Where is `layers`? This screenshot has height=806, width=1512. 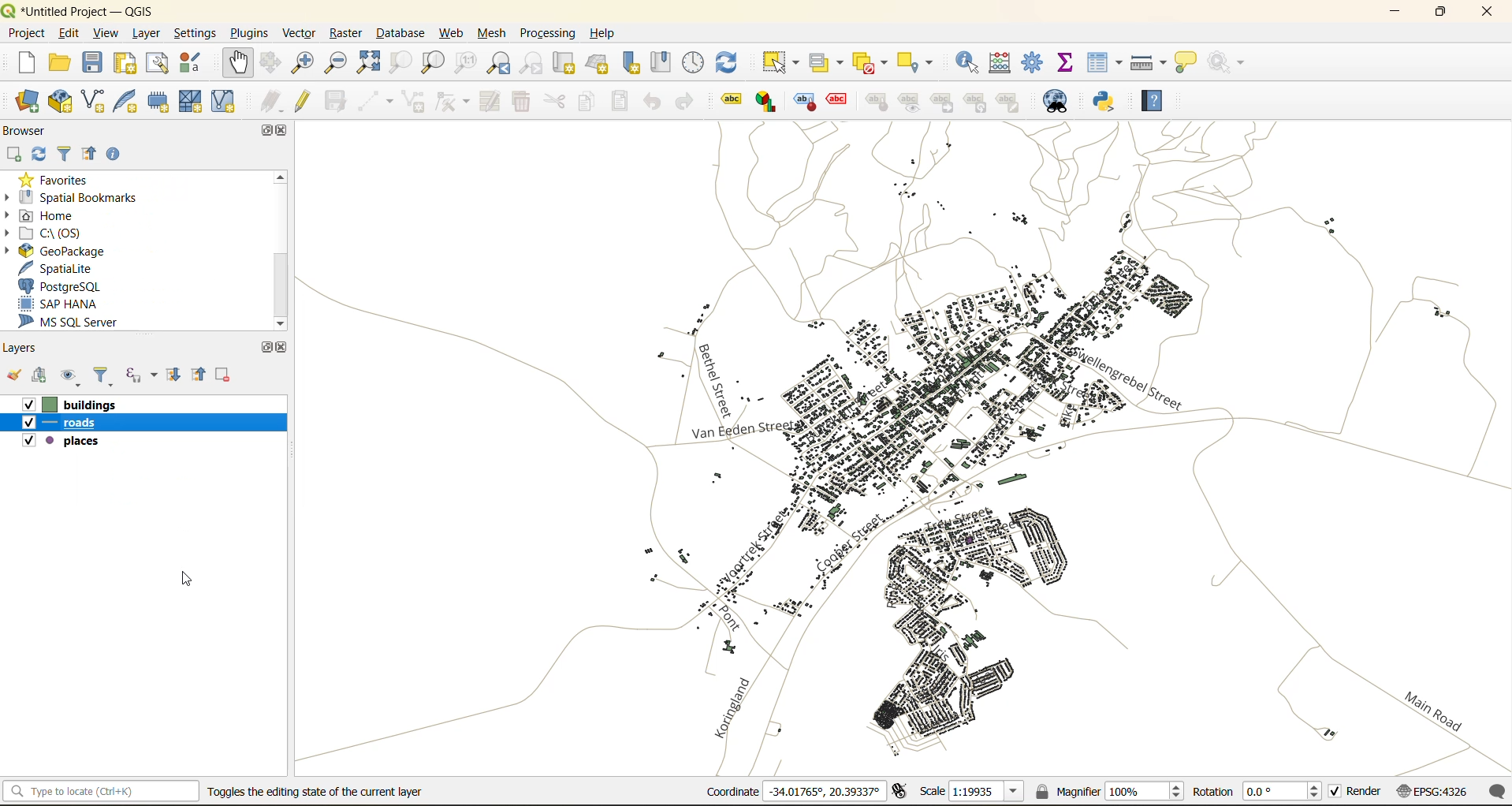
layers is located at coordinates (23, 347).